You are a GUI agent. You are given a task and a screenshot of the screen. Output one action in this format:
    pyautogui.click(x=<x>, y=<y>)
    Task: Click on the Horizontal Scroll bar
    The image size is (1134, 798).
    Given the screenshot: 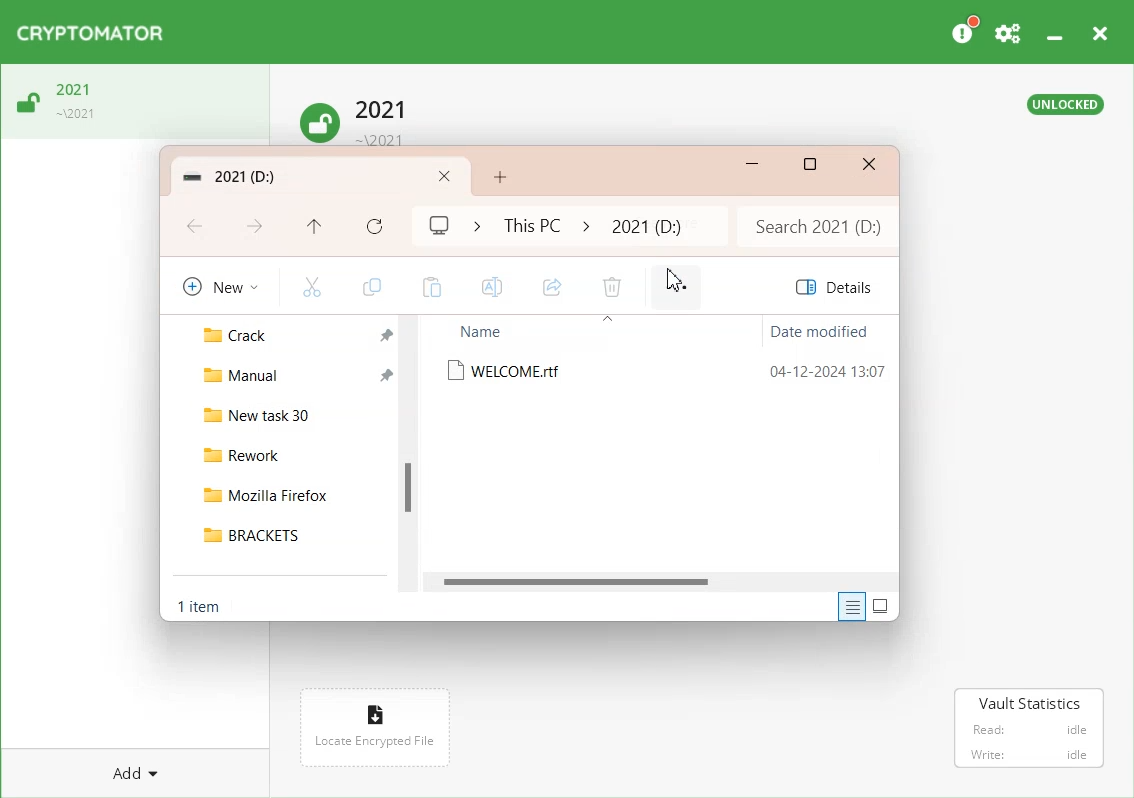 What is the action you would take?
    pyautogui.click(x=669, y=577)
    